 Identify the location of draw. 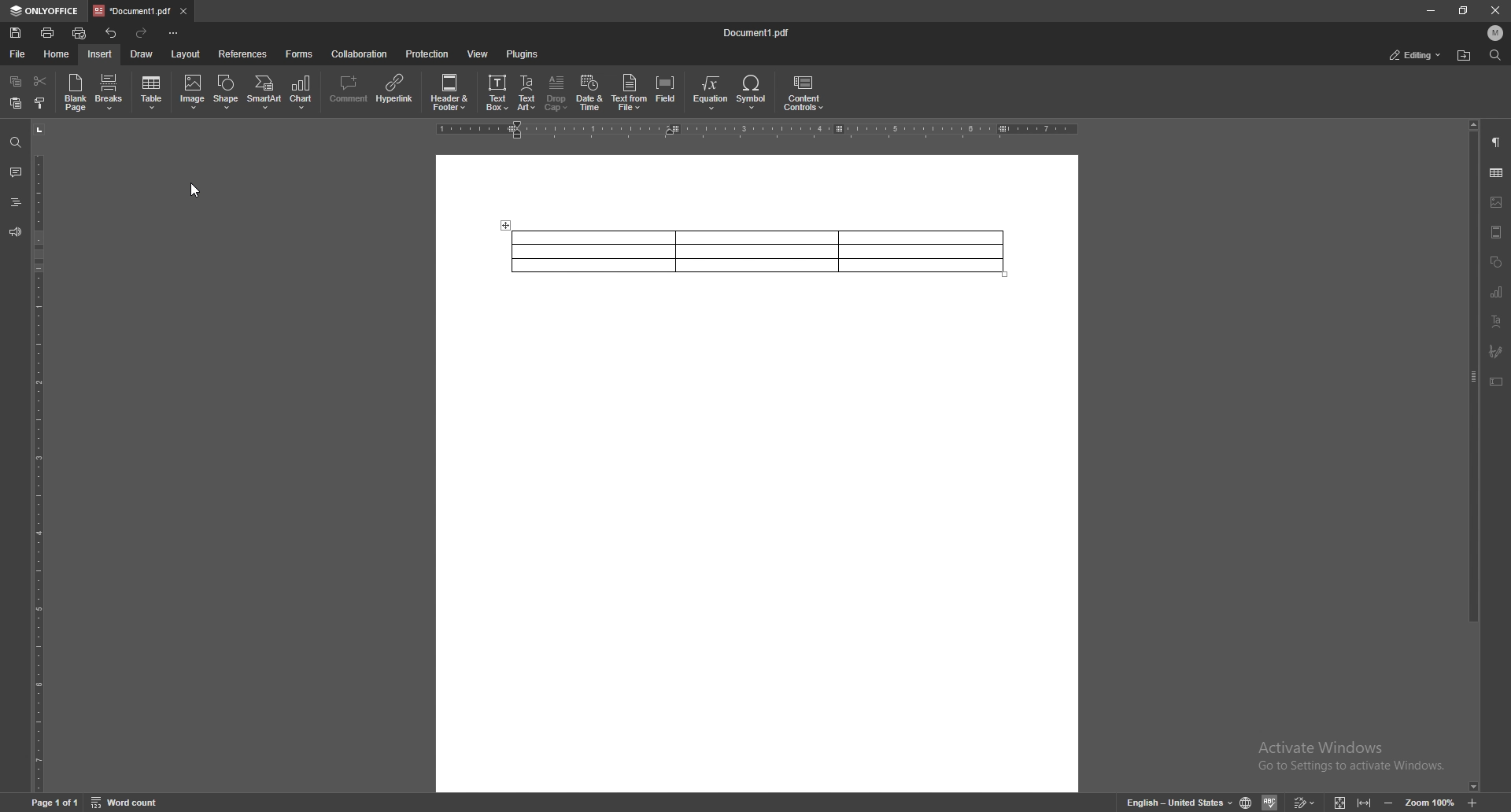
(142, 54).